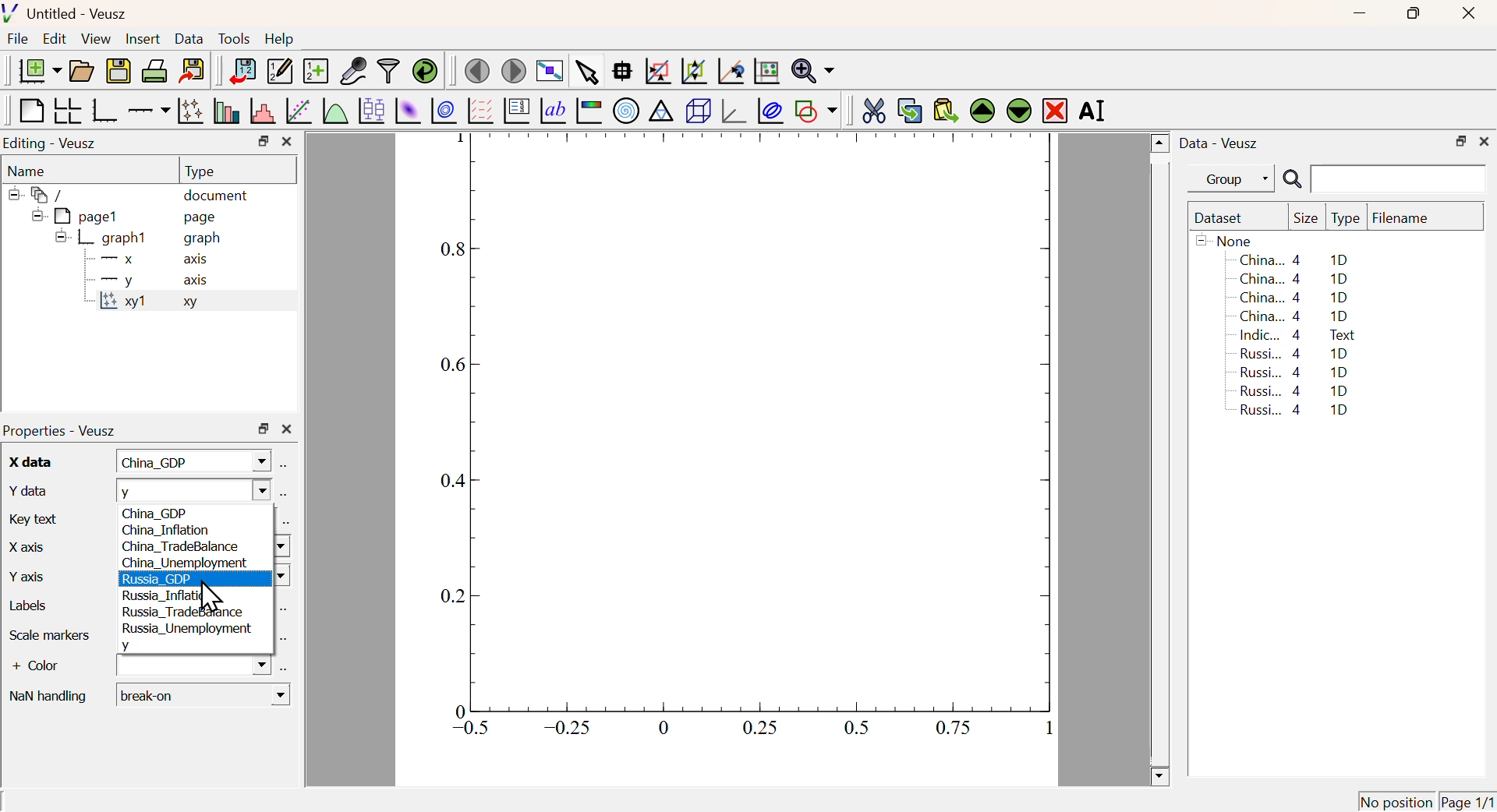  Describe the element at coordinates (1411, 13) in the screenshot. I see `Restore Down` at that location.